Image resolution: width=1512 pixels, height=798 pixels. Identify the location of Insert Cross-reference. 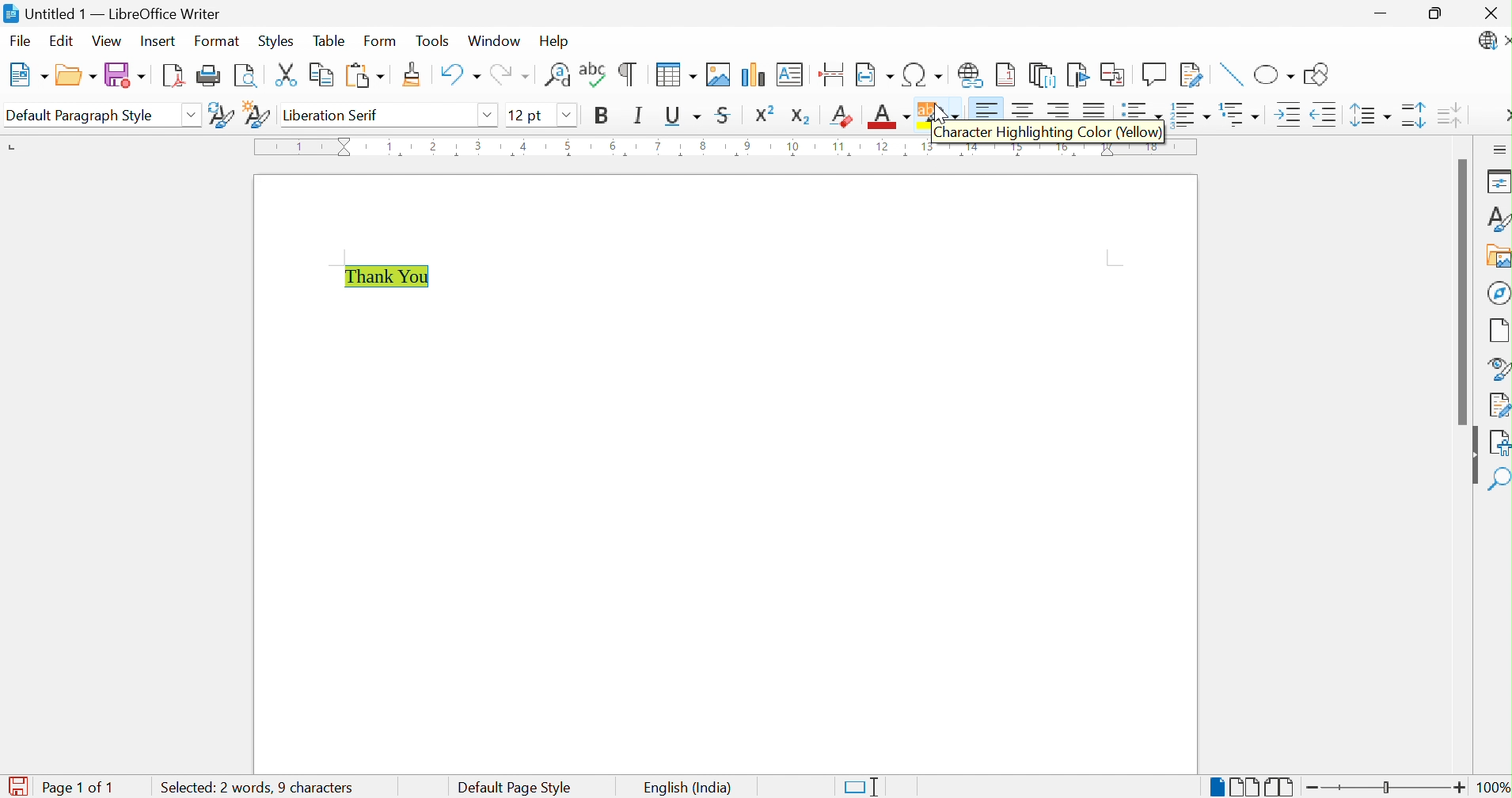
(1115, 74).